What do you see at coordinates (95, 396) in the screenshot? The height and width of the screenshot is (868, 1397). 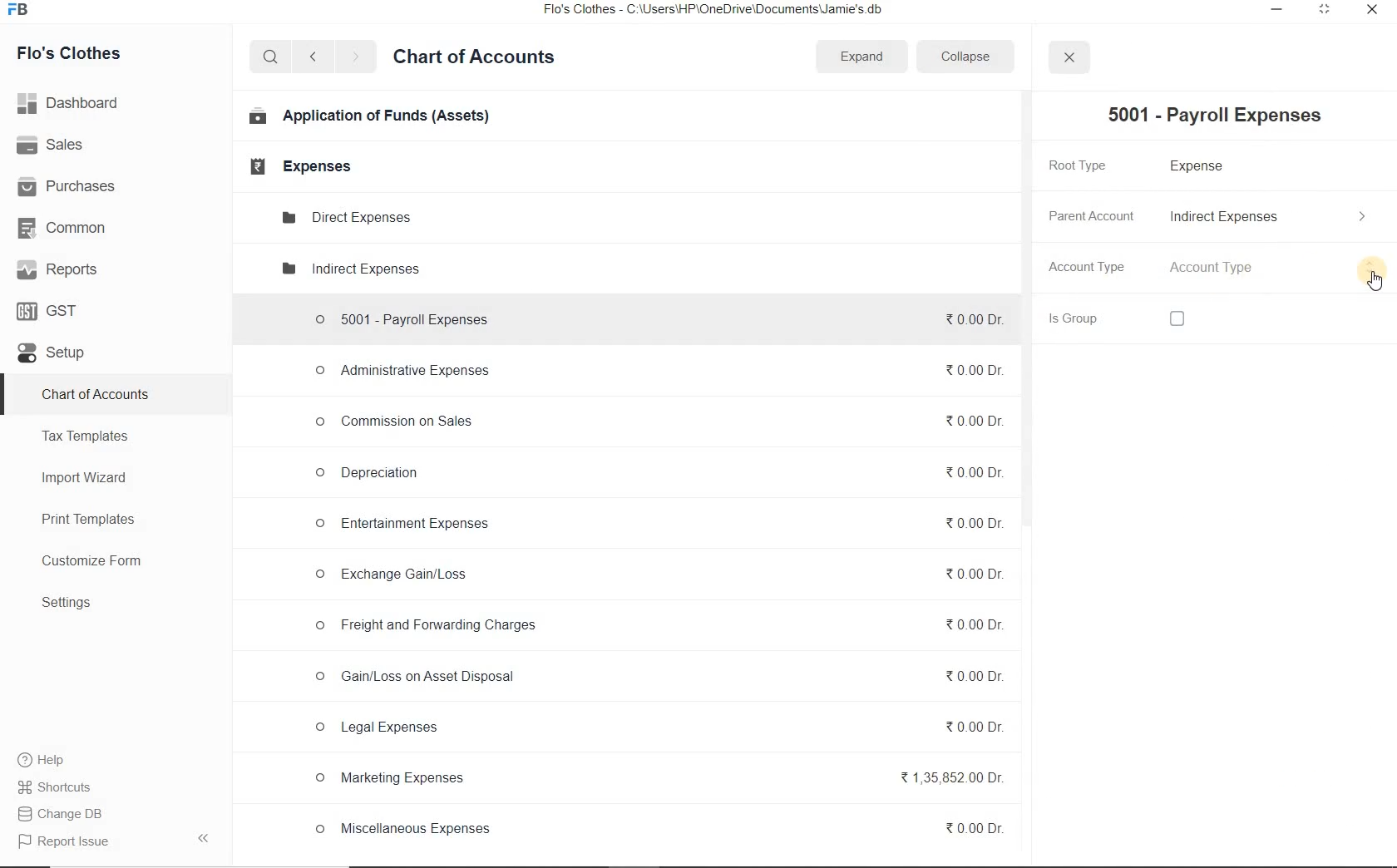 I see `Chart of Accounts` at bounding box center [95, 396].